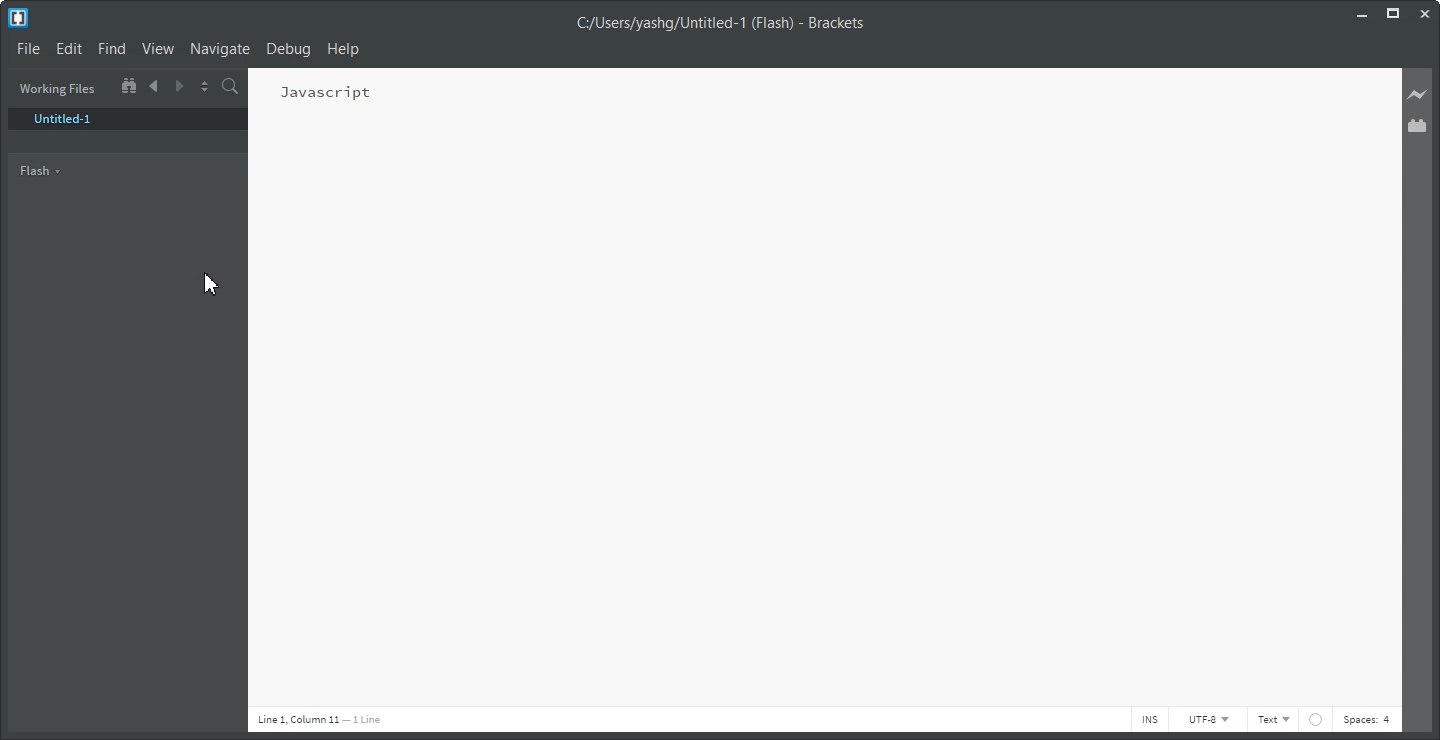 The width and height of the screenshot is (1440, 740). What do you see at coordinates (720, 24) in the screenshot?
I see `C:/Users/yashg/Untitled-1 (Flash) - Brackets` at bounding box center [720, 24].